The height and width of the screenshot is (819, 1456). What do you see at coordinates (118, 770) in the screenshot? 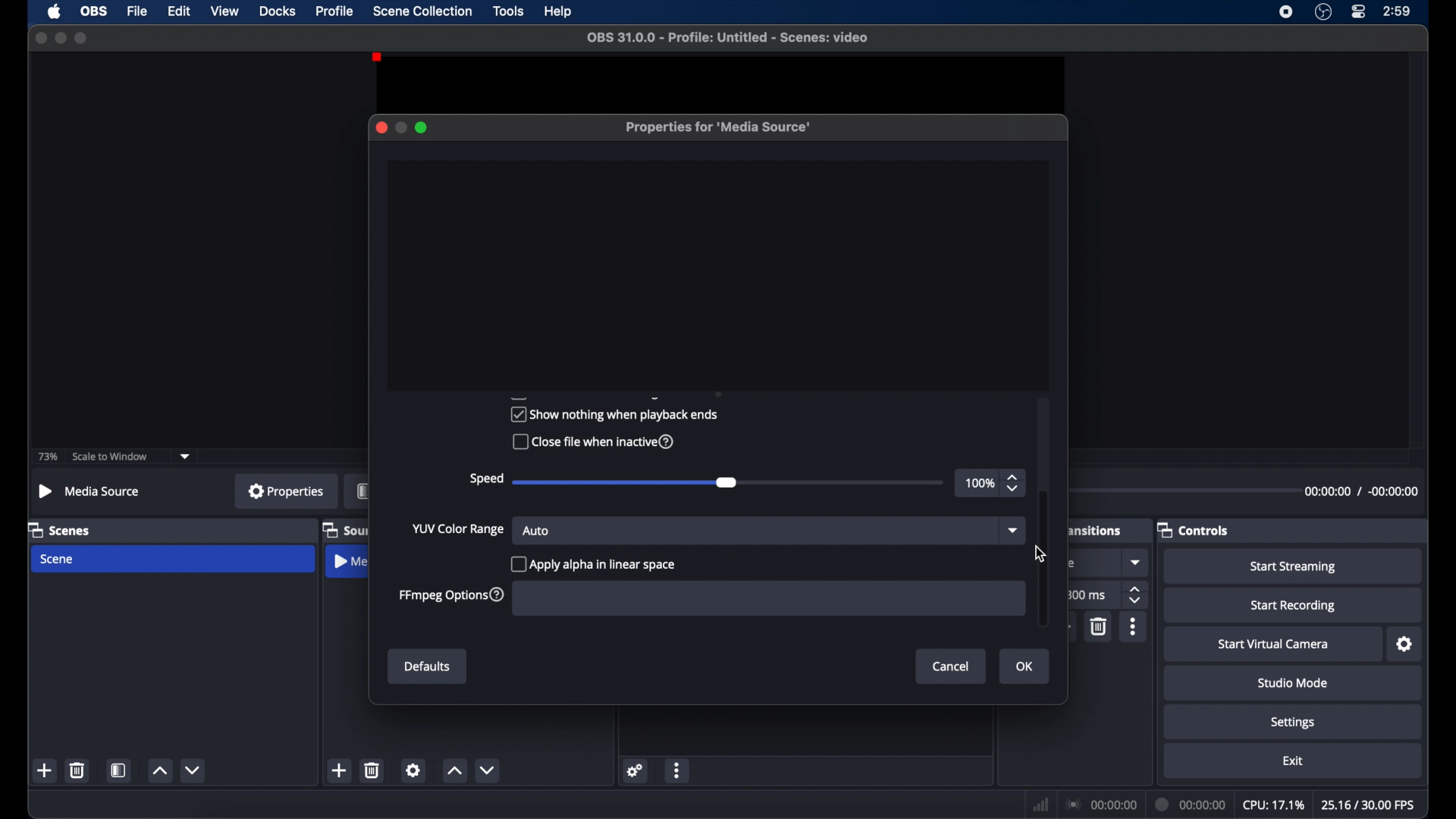
I see `scene filters` at bounding box center [118, 770].